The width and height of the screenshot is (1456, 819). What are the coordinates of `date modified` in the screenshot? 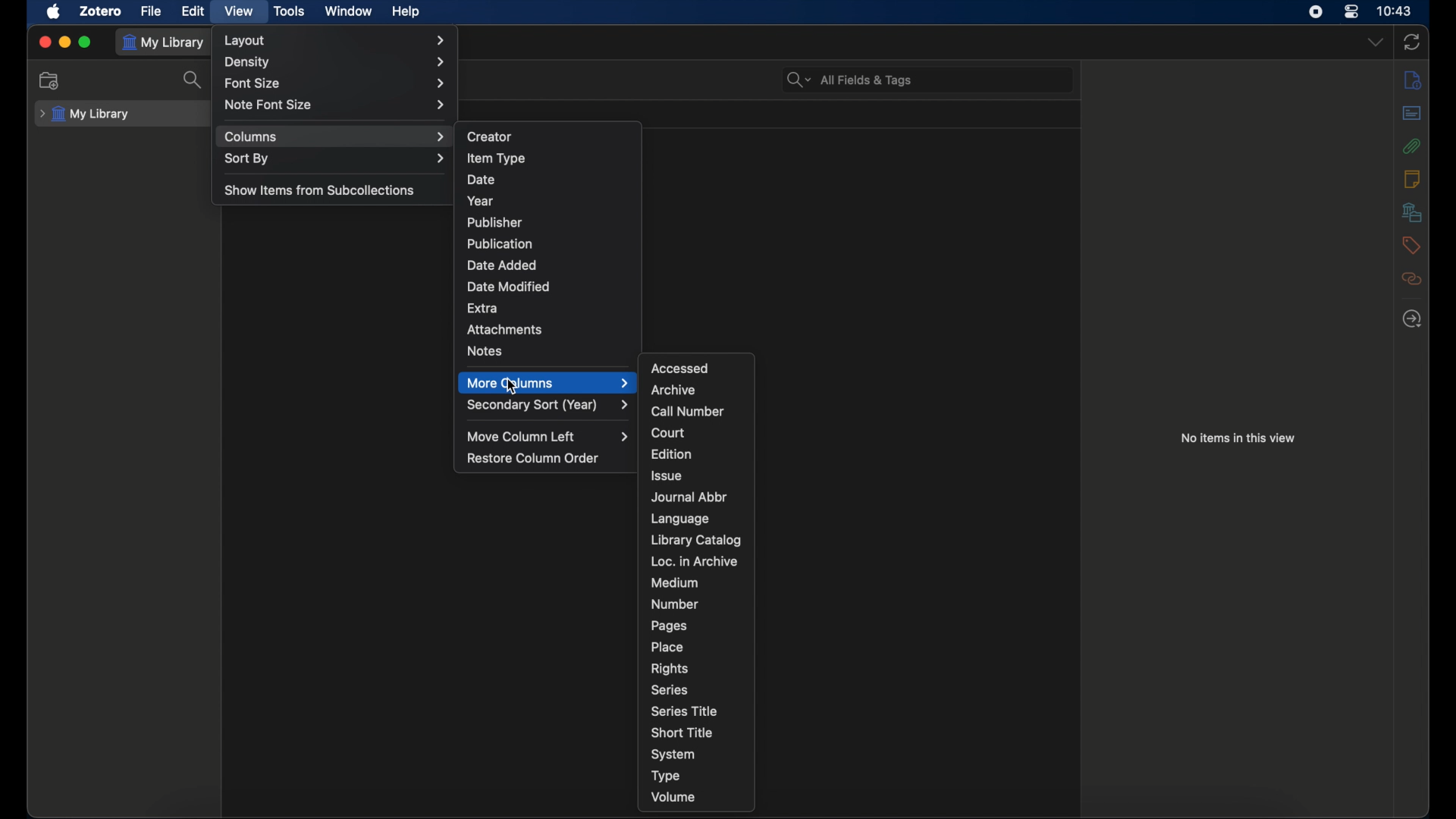 It's located at (508, 286).